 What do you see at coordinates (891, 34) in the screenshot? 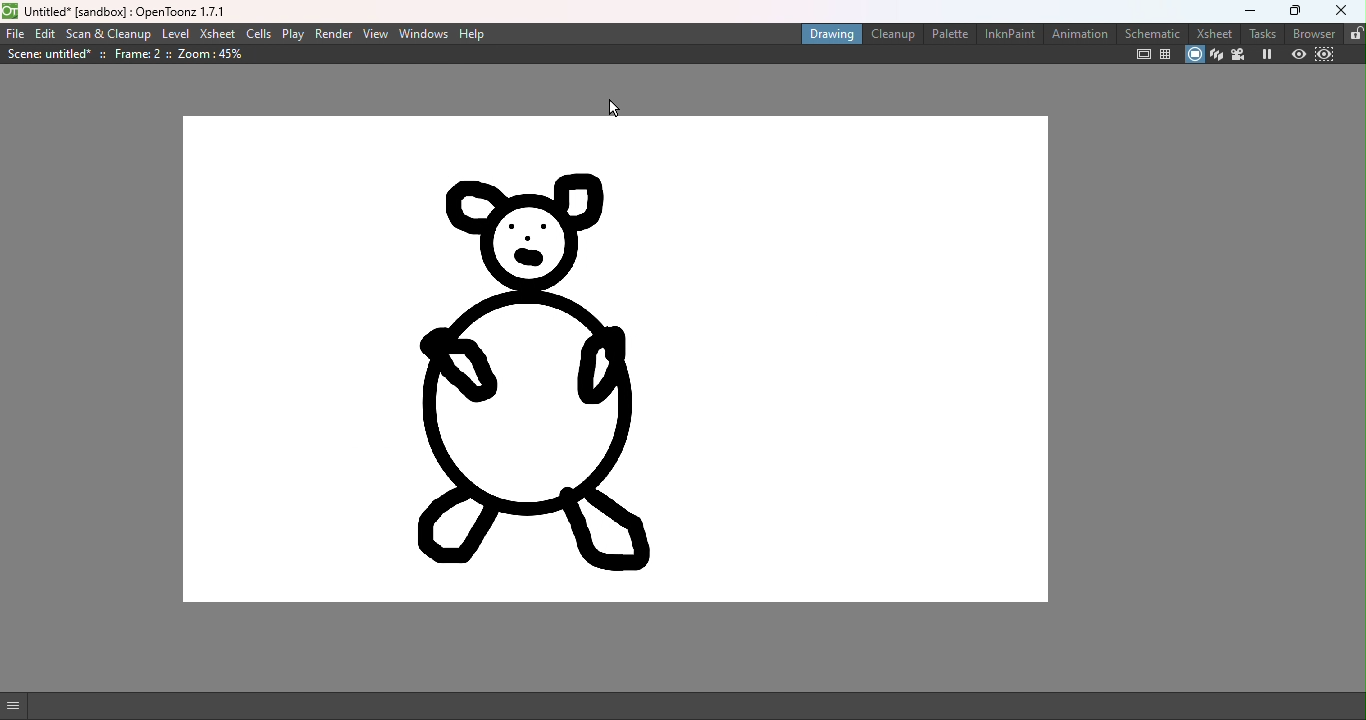
I see `Cleanup` at bounding box center [891, 34].